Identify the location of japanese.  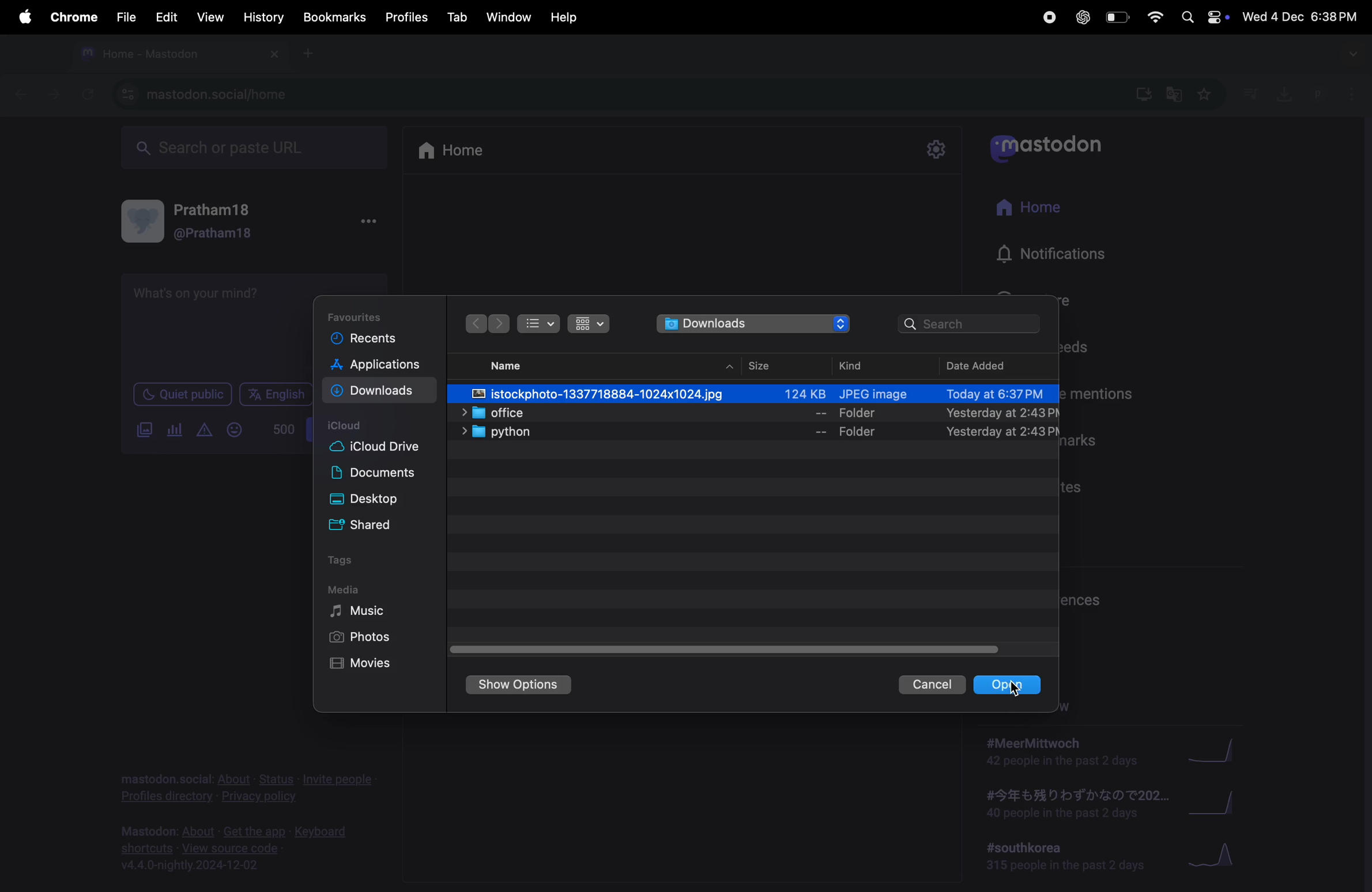
(1071, 805).